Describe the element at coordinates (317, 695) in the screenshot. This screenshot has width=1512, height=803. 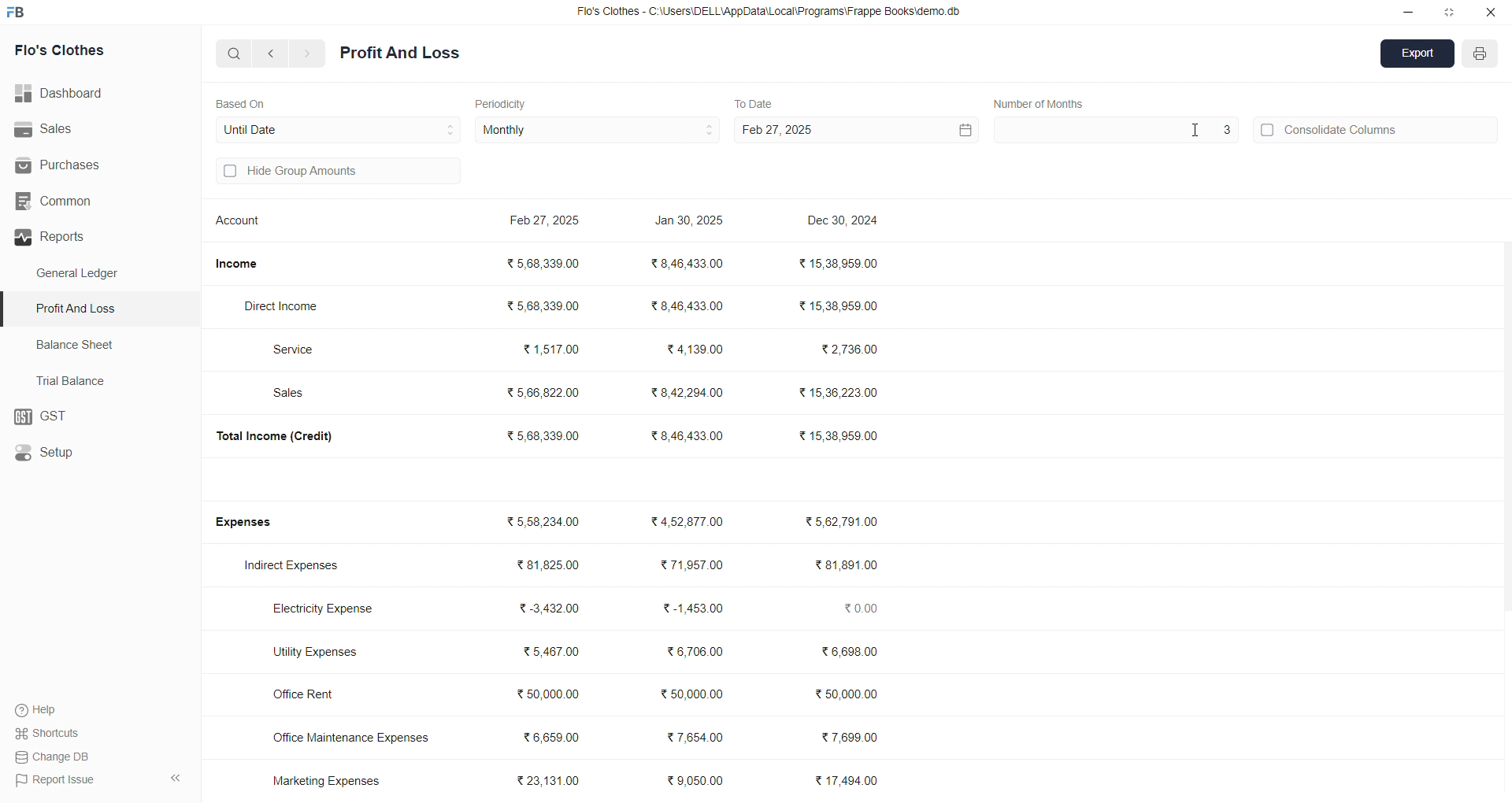
I see `Office Rent` at that location.